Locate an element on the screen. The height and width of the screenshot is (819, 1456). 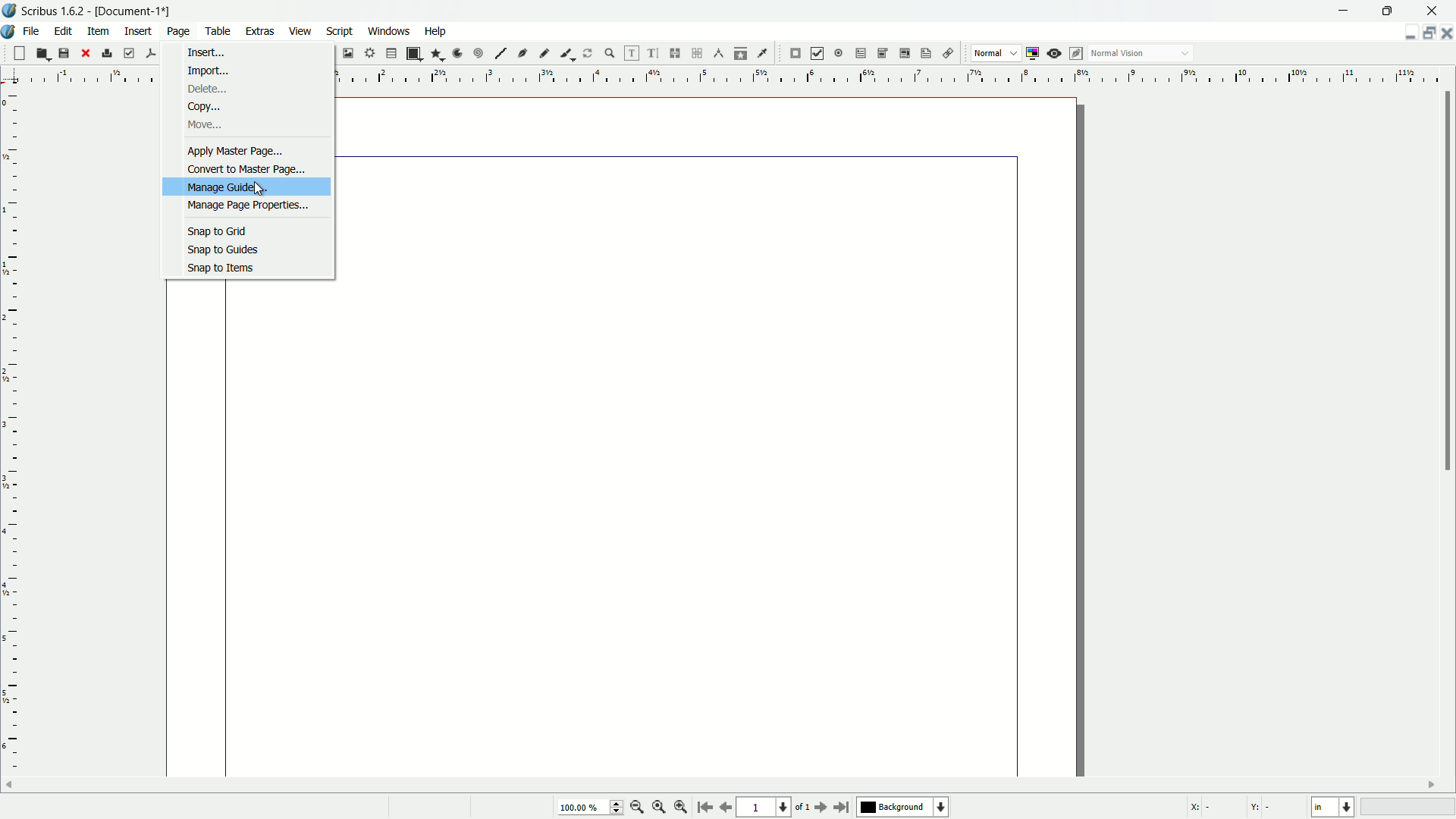
image frame is located at coordinates (347, 52).